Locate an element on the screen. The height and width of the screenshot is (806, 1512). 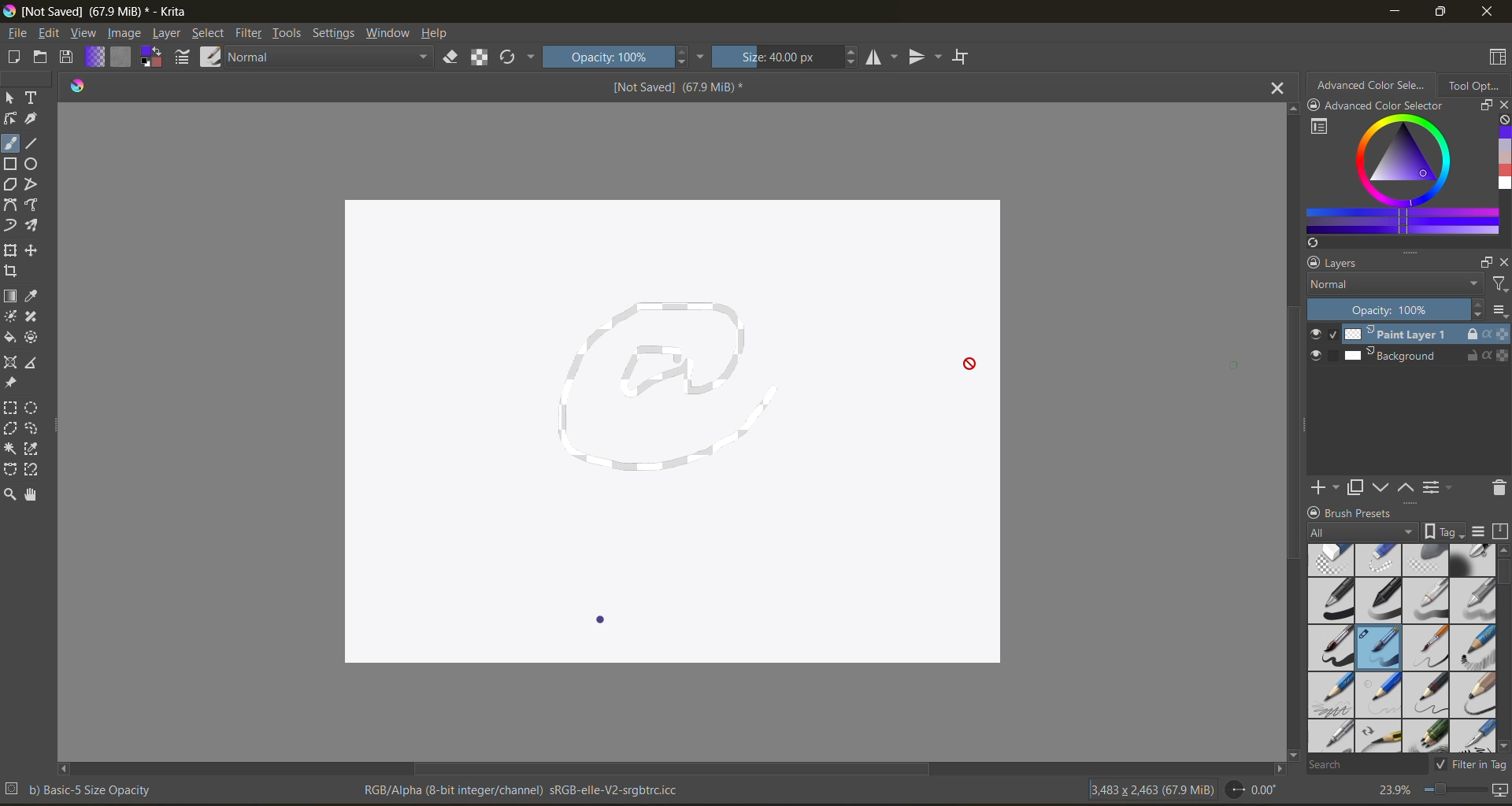
square is located at coordinates (9, 164).